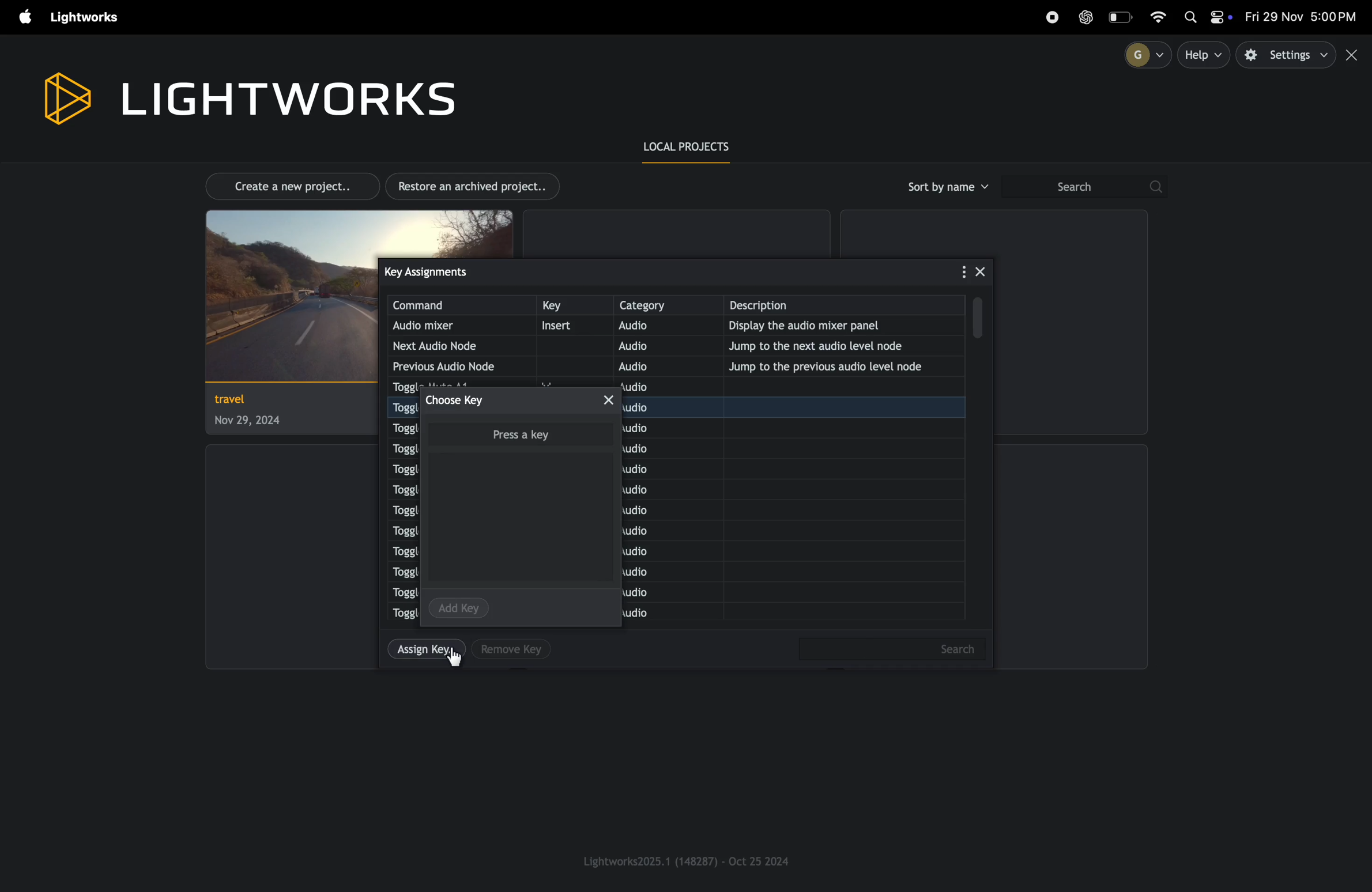 This screenshot has width=1372, height=892. I want to click on battery, so click(1122, 17).